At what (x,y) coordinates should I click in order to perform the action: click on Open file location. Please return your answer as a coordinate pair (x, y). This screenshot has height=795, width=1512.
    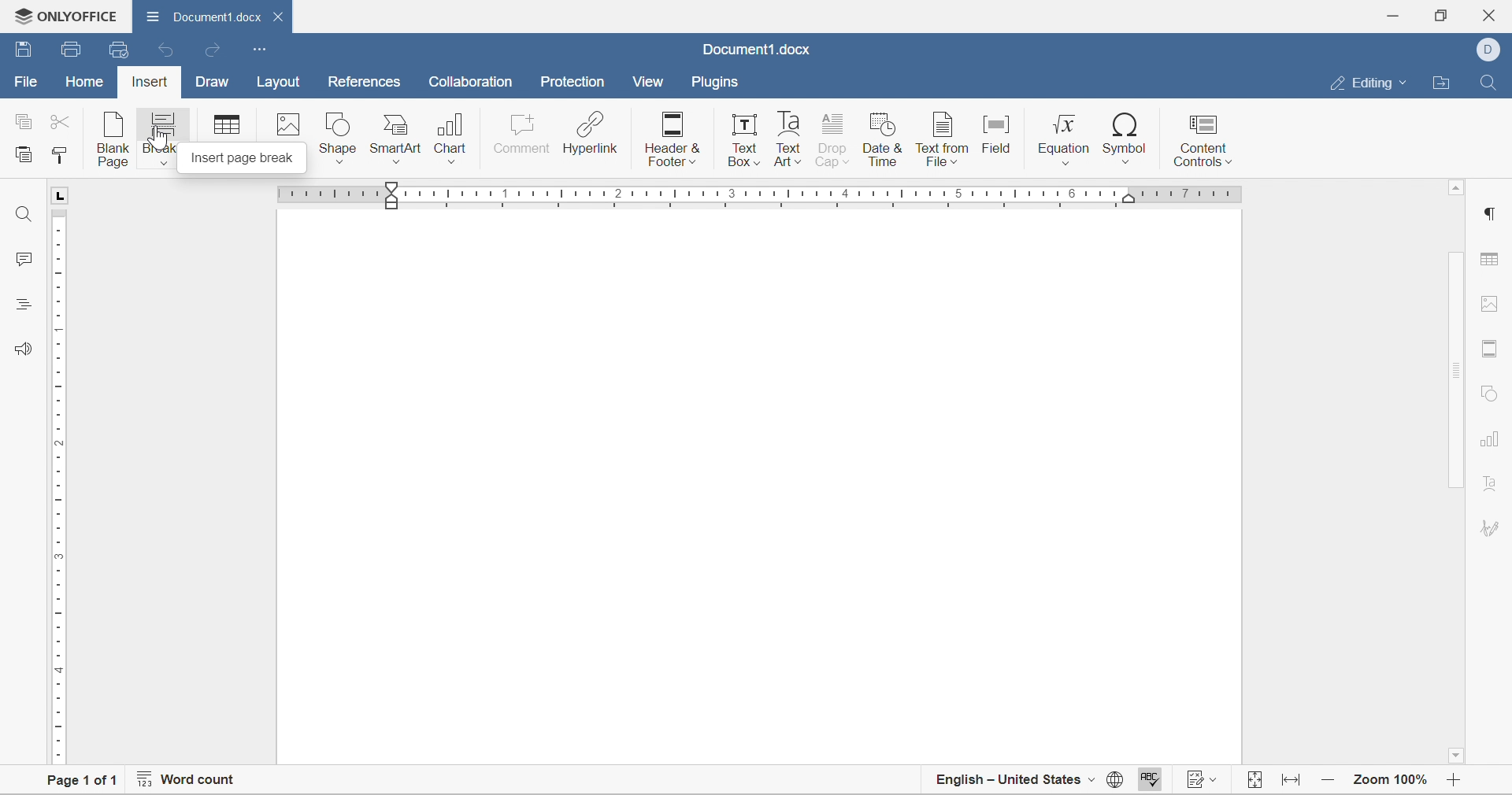
    Looking at the image, I should click on (1445, 83).